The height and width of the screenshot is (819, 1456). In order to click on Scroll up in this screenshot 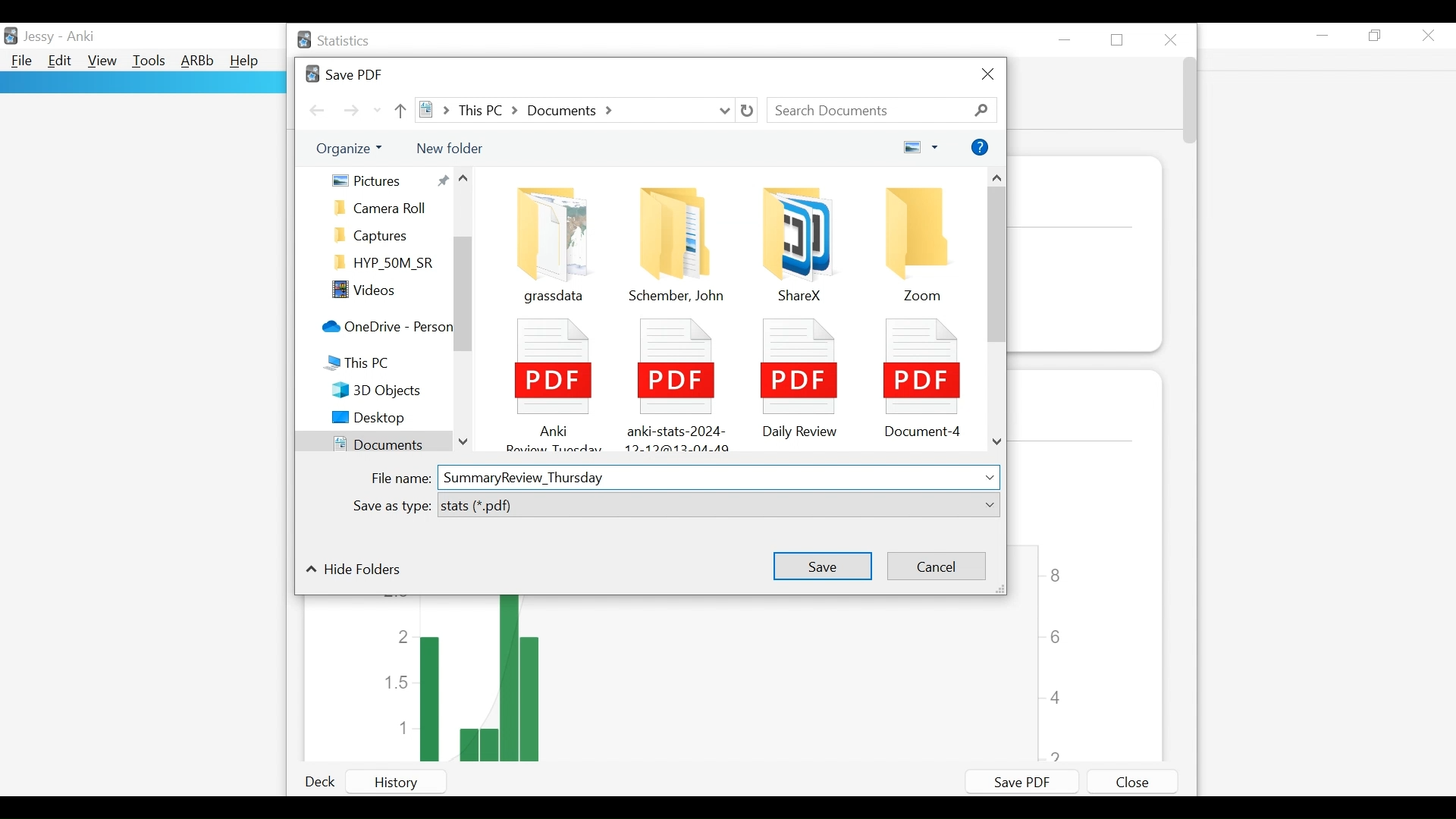, I will do `click(998, 178)`.